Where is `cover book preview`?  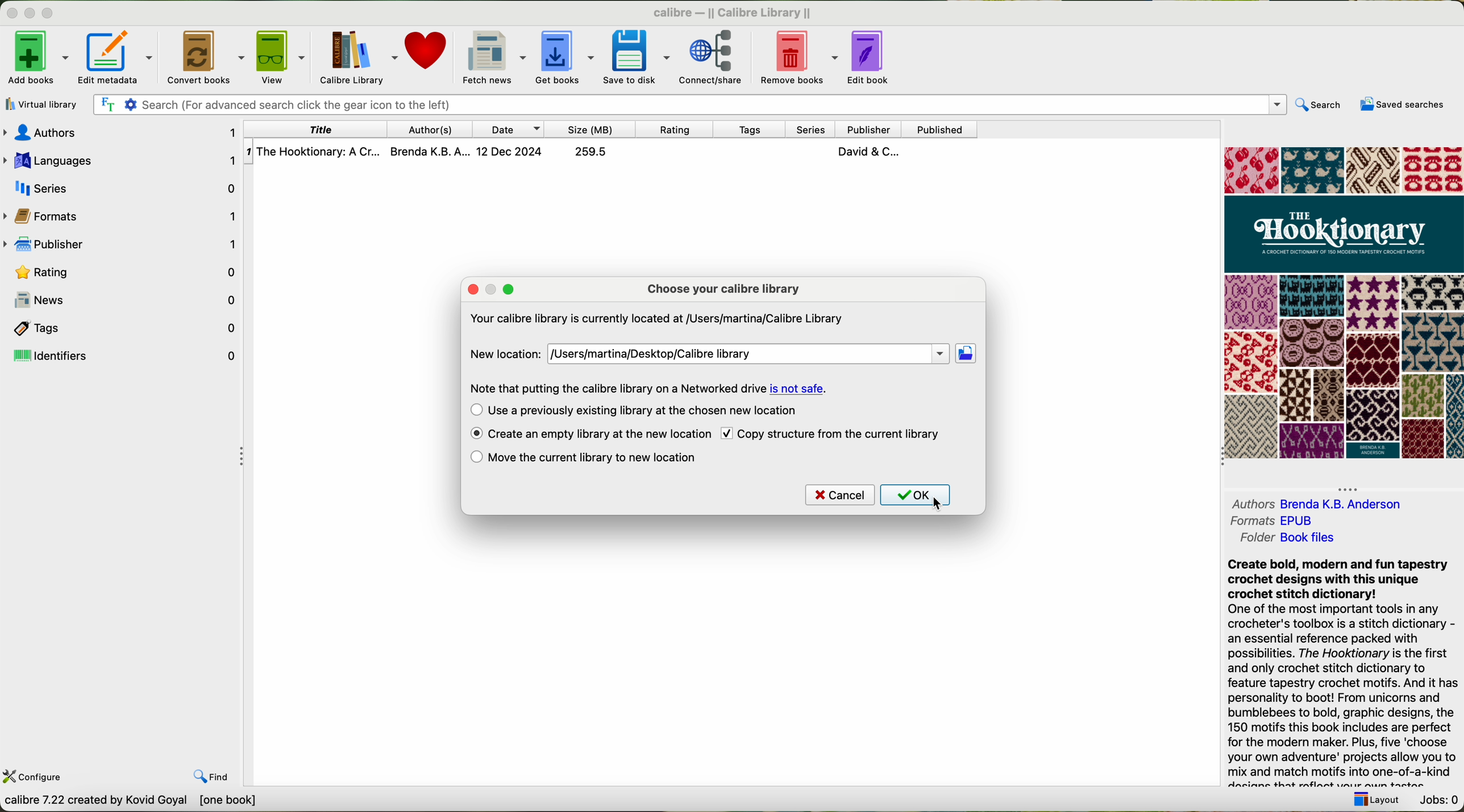
cover book preview is located at coordinates (1342, 303).